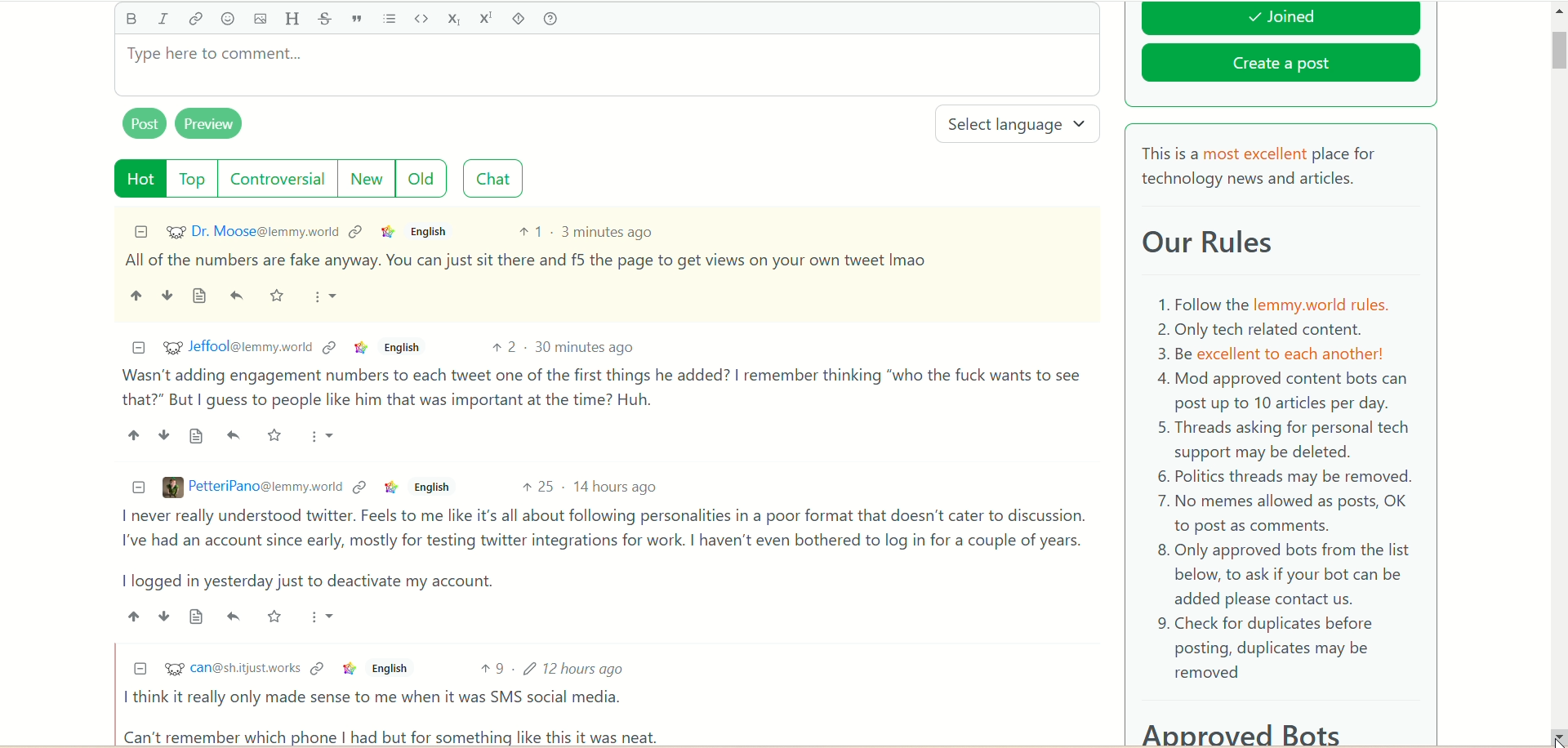 This screenshot has height=748, width=1568. I want to click on old, so click(422, 177).